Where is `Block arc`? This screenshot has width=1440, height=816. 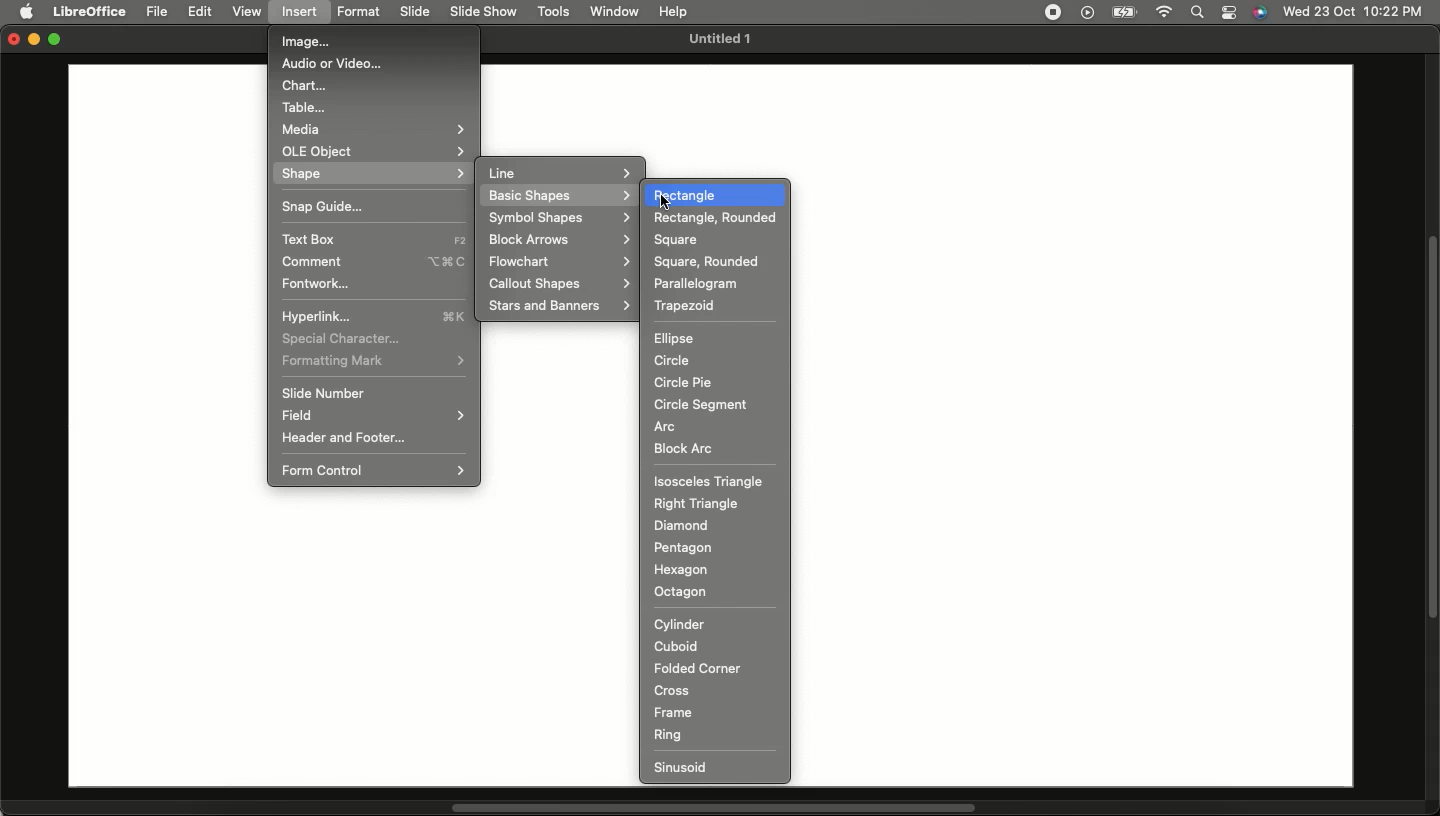 Block arc is located at coordinates (686, 448).